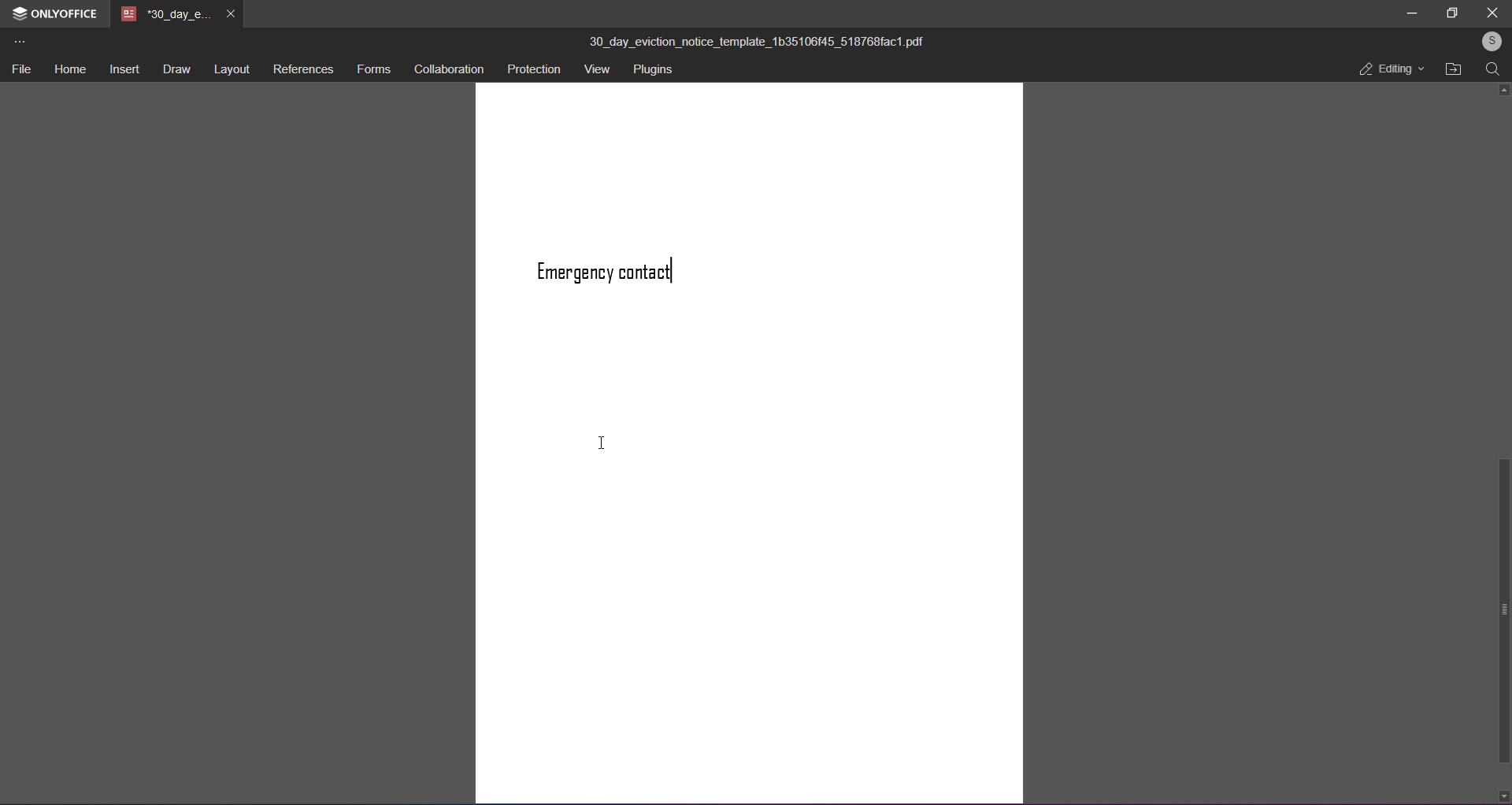 Image resolution: width=1512 pixels, height=805 pixels. What do you see at coordinates (176, 72) in the screenshot?
I see `draw` at bounding box center [176, 72].